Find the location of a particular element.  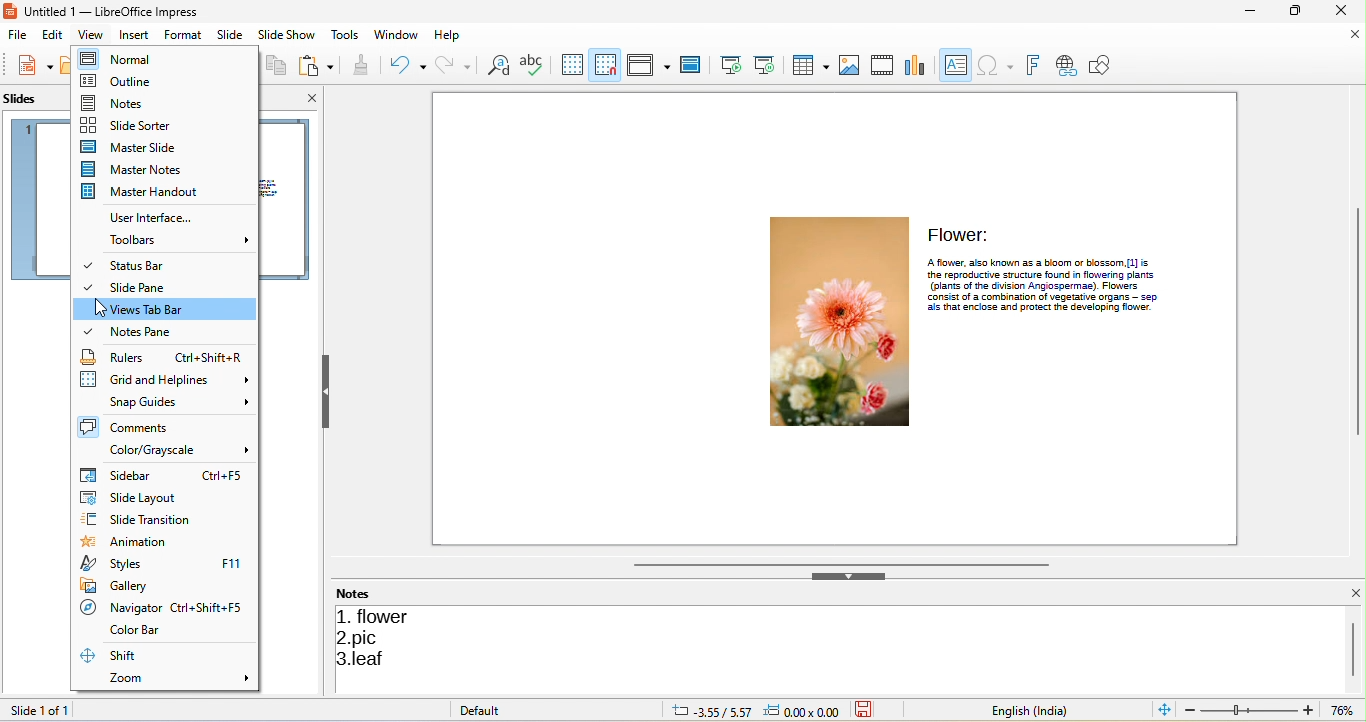

snap guides is located at coordinates (179, 401).